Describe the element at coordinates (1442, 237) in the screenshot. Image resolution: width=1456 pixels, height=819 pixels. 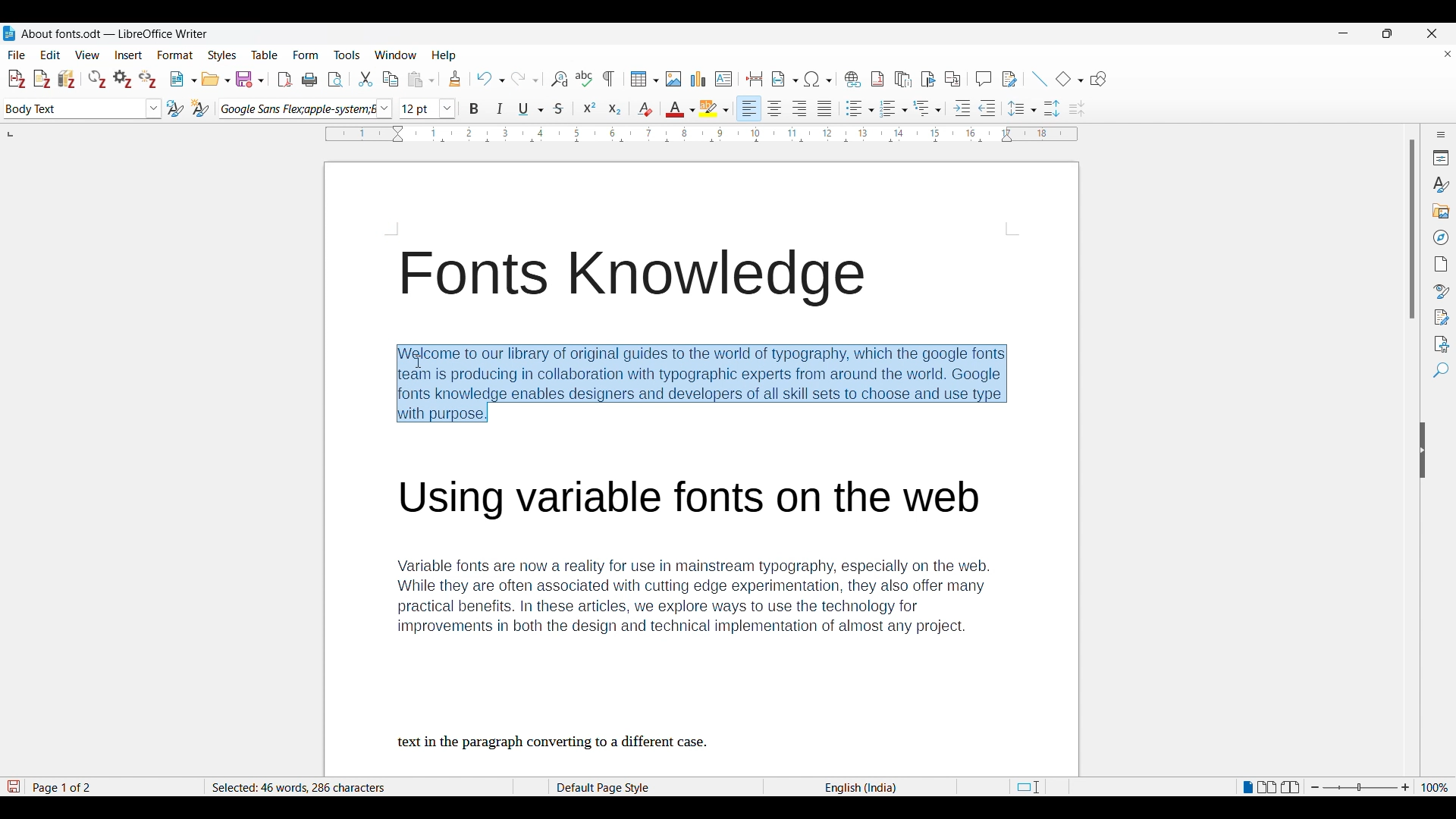
I see `Navigator` at that location.